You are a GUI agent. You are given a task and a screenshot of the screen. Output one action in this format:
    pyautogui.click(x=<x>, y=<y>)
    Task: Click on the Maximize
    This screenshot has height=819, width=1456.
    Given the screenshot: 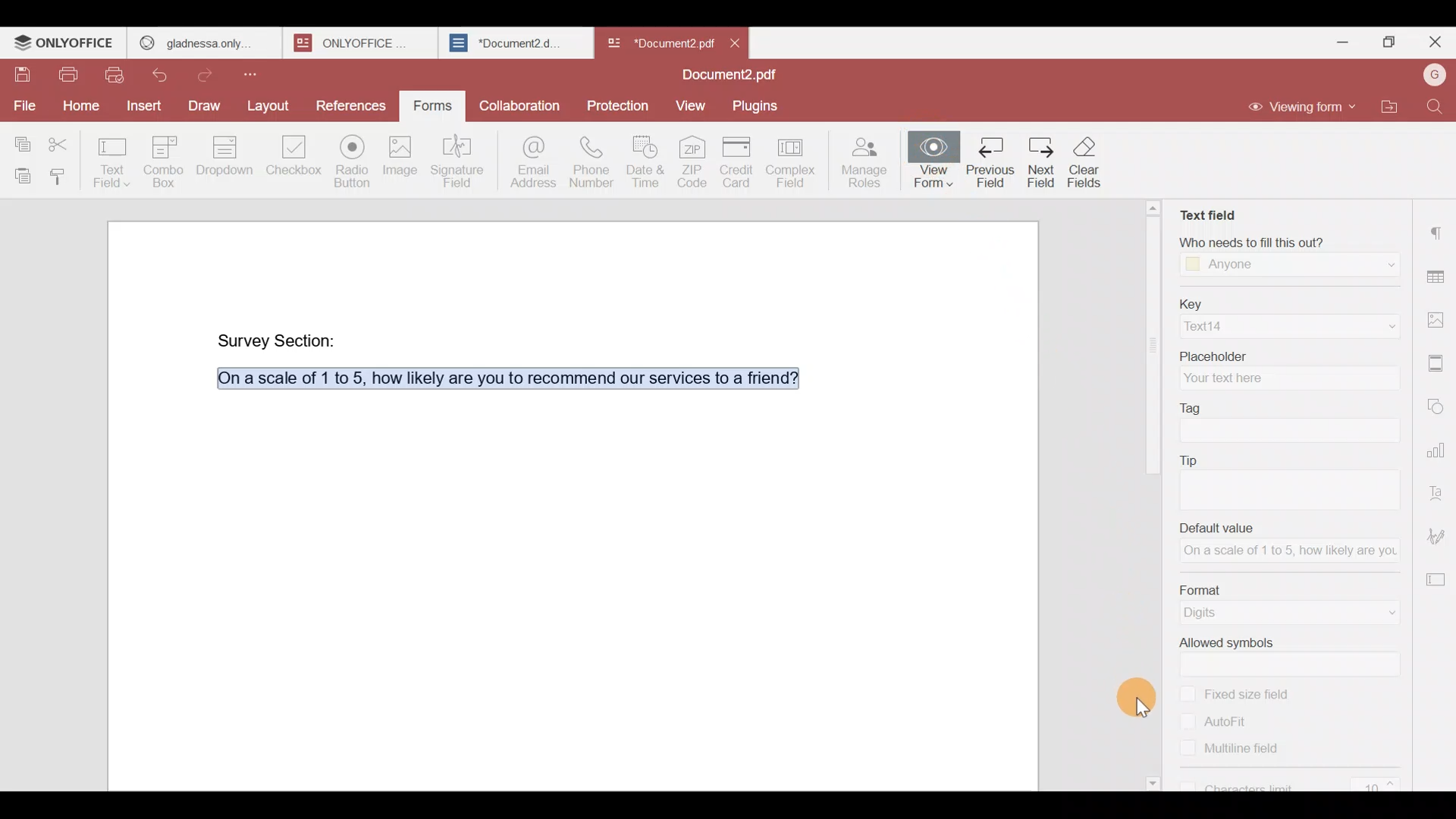 What is the action you would take?
    pyautogui.click(x=1392, y=42)
    